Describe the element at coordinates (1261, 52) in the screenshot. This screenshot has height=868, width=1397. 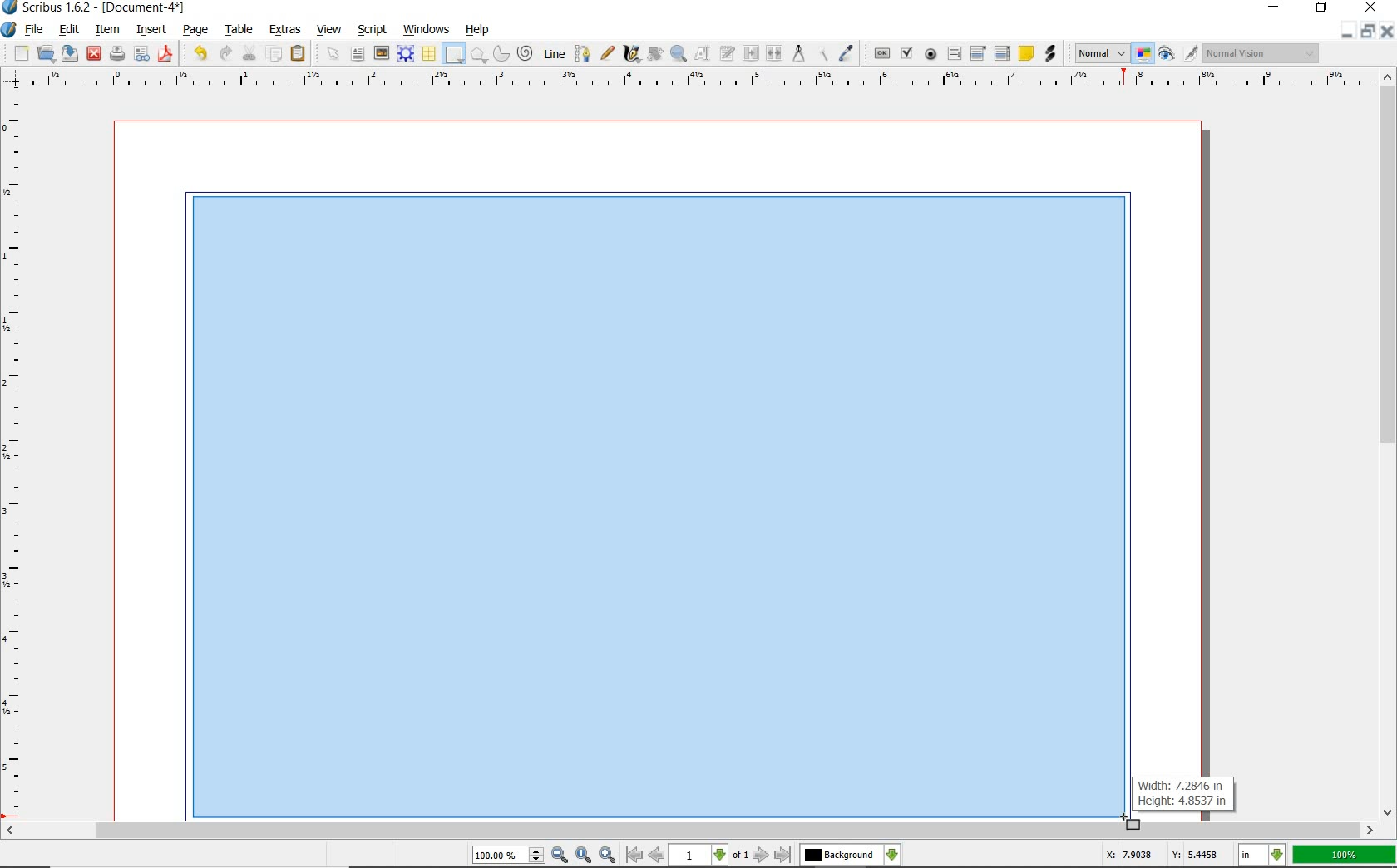
I see `Normal Vision` at that location.